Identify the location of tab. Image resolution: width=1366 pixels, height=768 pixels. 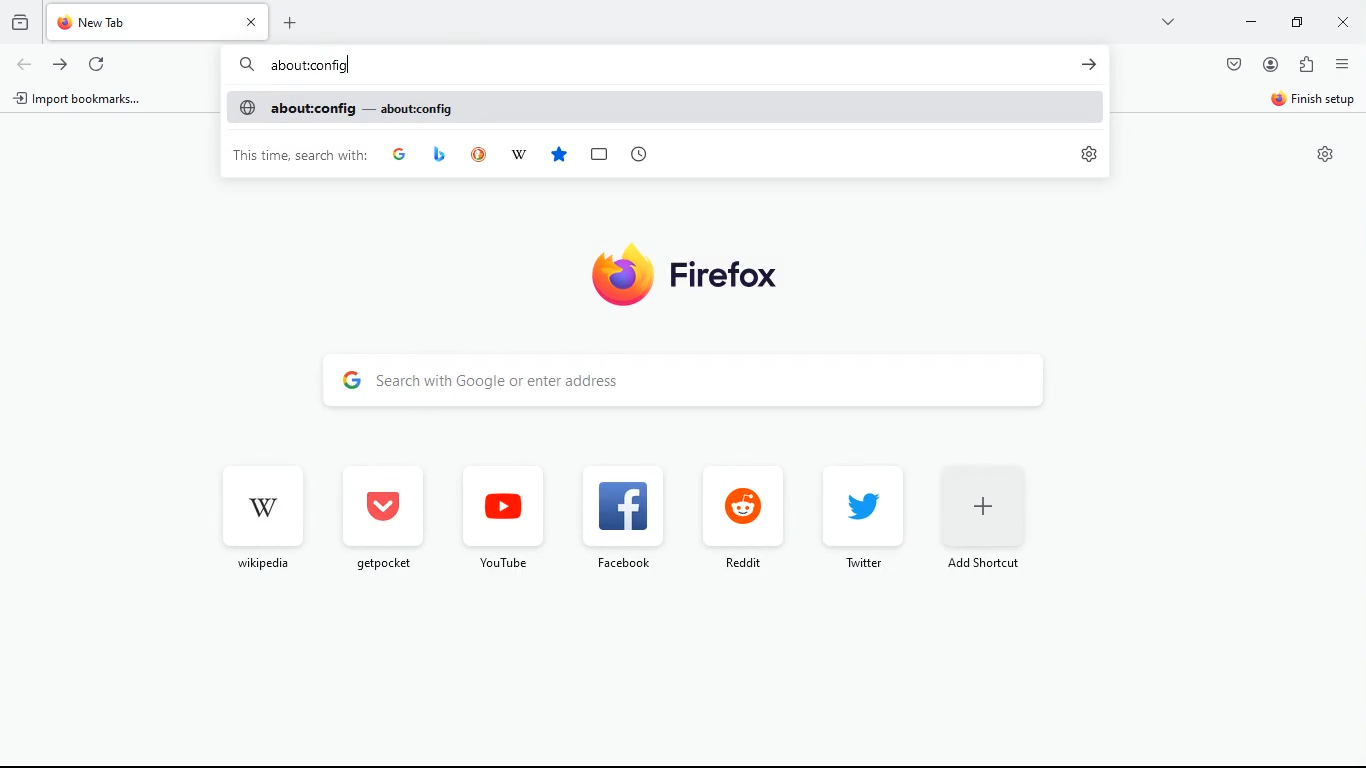
(160, 21).